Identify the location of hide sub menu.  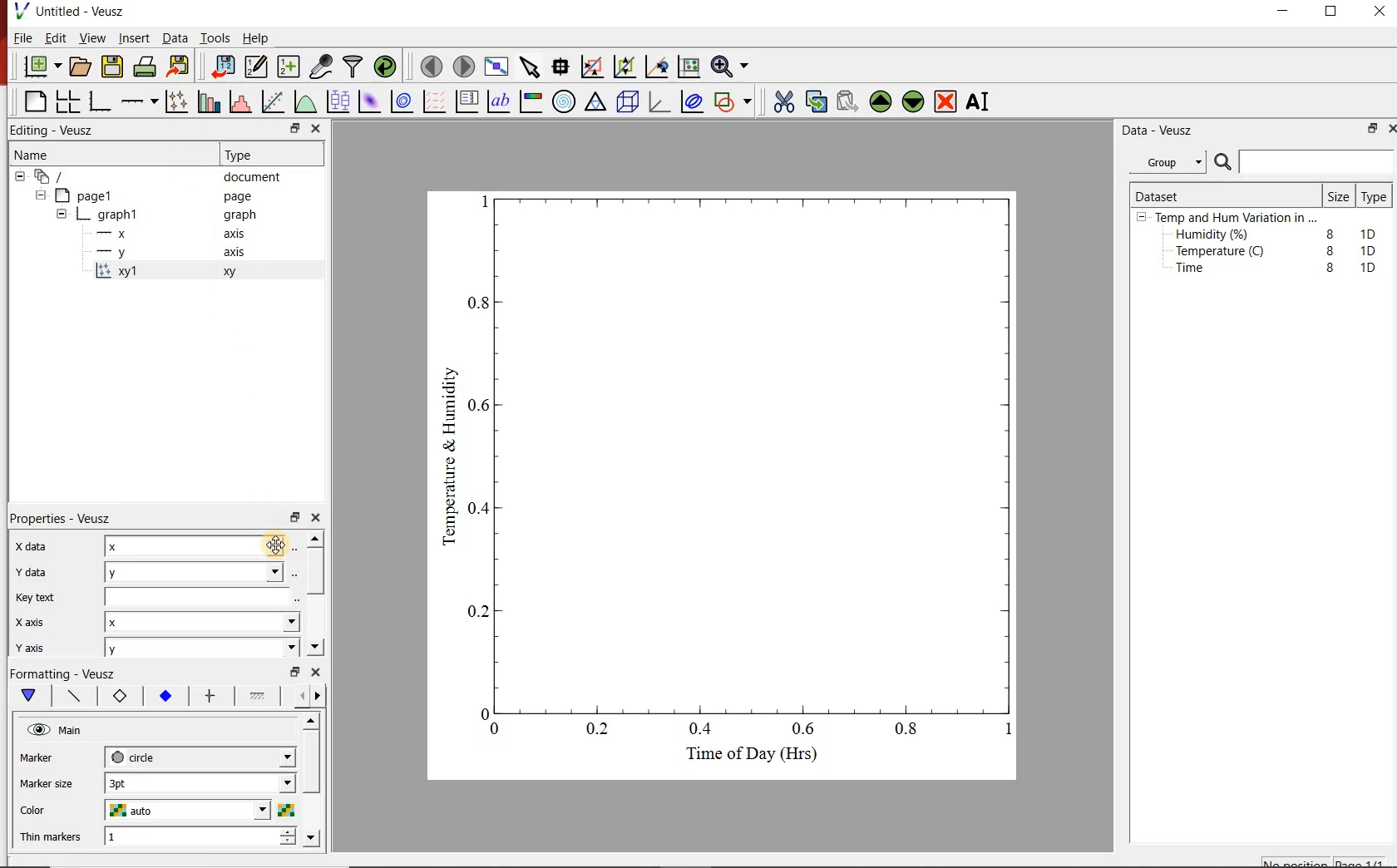
(18, 179).